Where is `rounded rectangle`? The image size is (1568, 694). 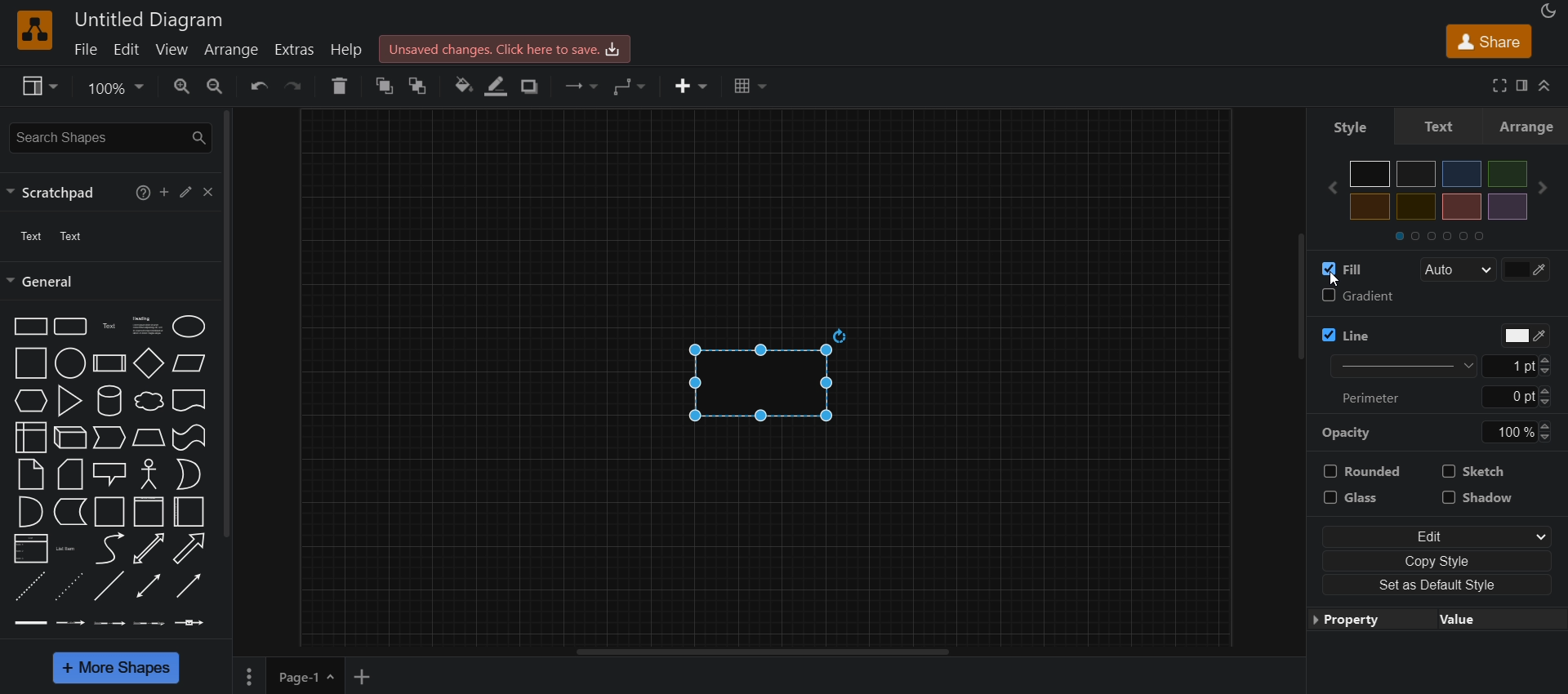
rounded rectangle is located at coordinates (69, 325).